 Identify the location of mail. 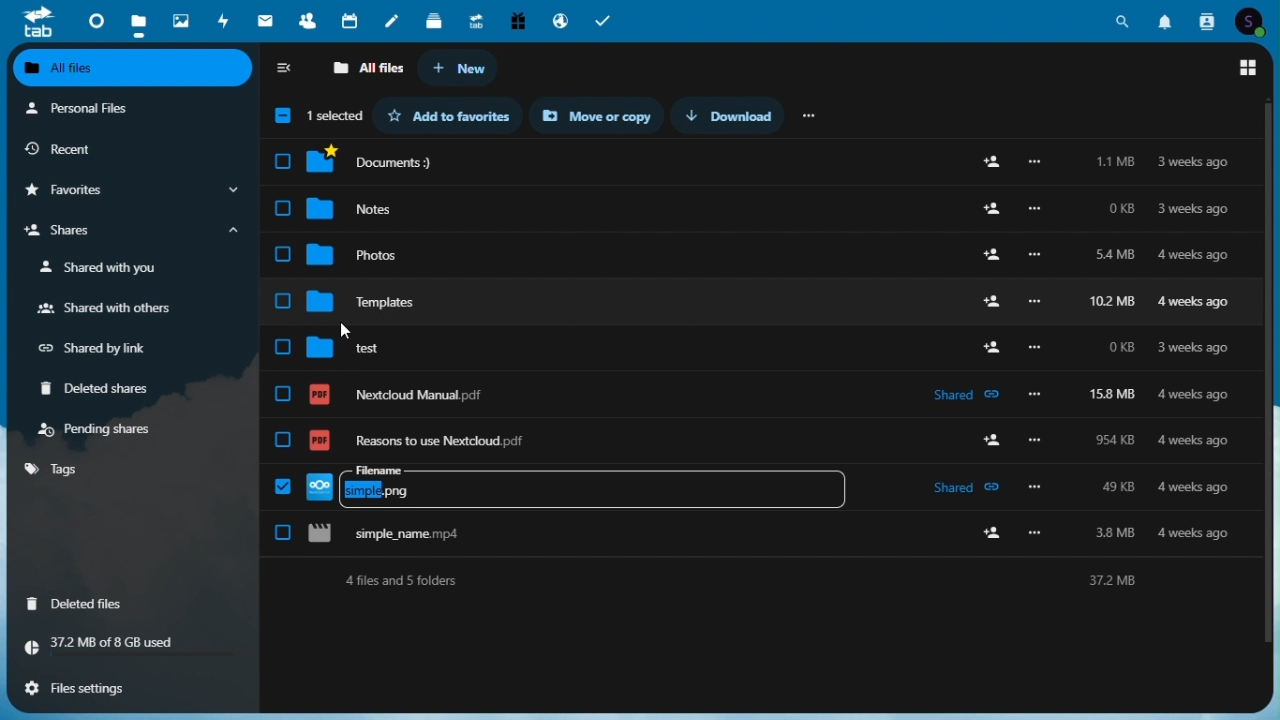
(268, 20).